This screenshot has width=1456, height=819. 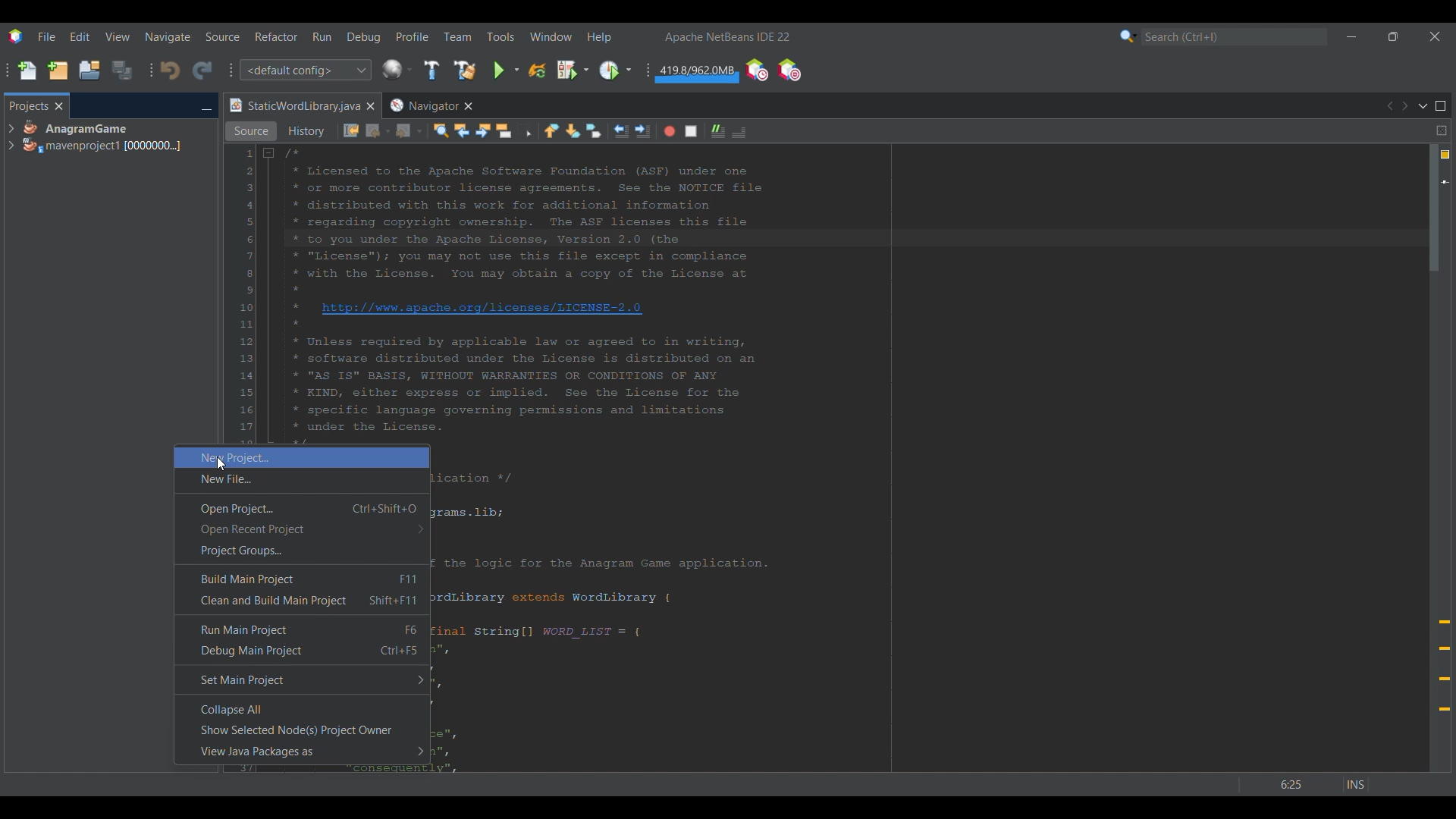 What do you see at coordinates (302, 600) in the screenshot?
I see `Clean and build main project` at bounding box center [302, 600].